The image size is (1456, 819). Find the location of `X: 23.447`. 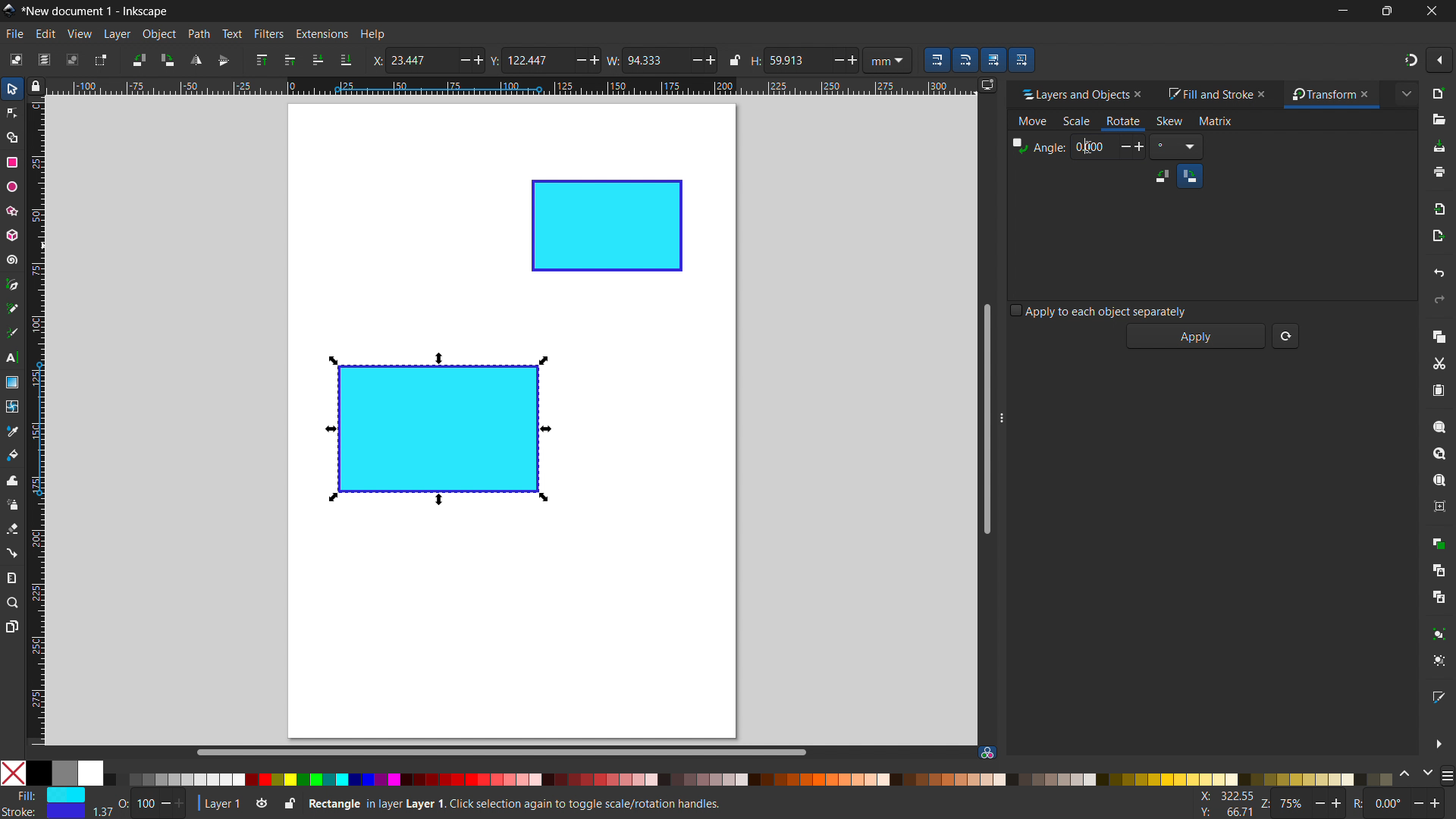

X: 23.447 is located at coordinates (409, 60).